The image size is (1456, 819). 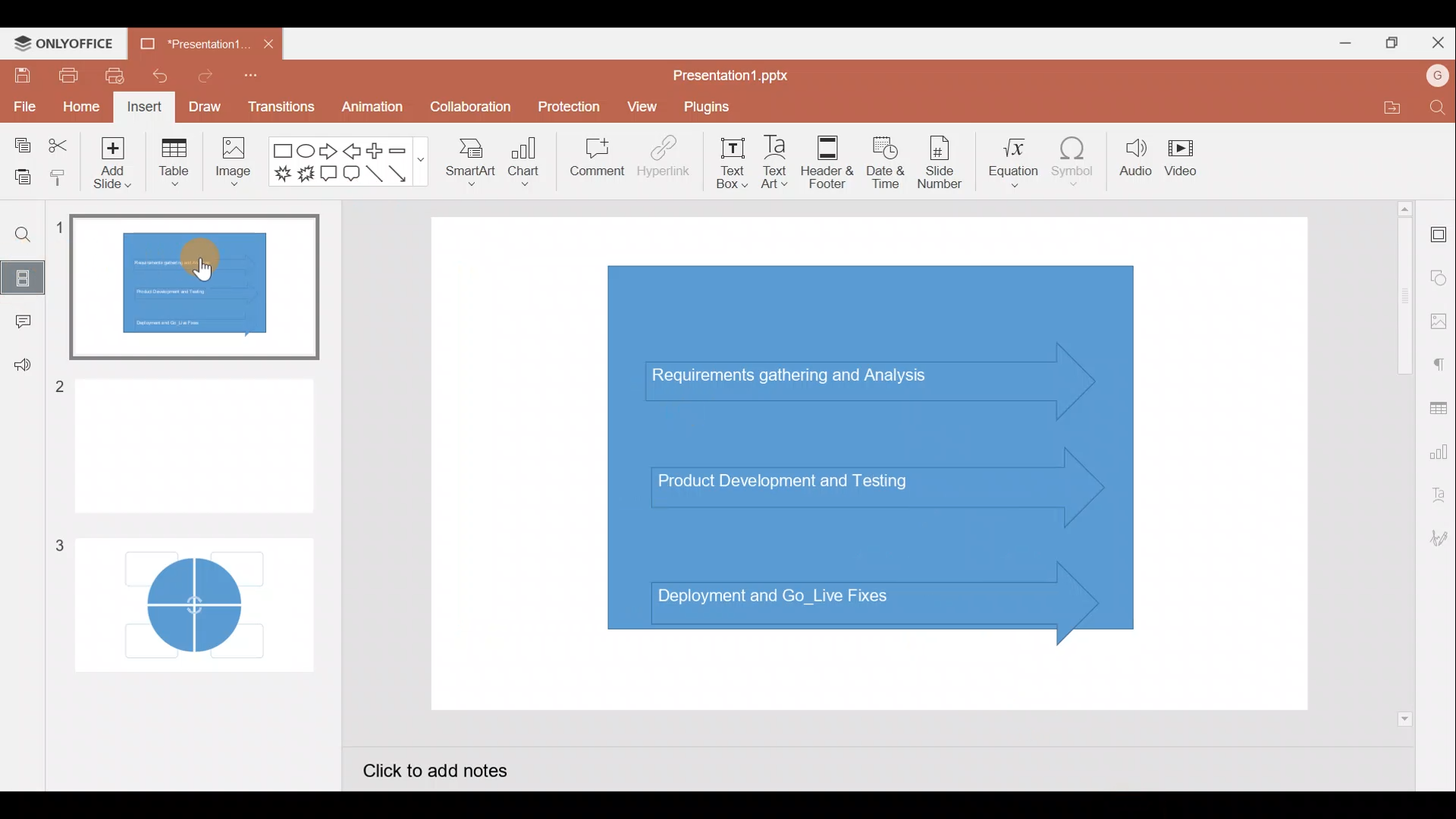 What do you see at coordinates (1341, 45) in the screenshot?
I see `Minimize` at bounding box center [1341, 45].